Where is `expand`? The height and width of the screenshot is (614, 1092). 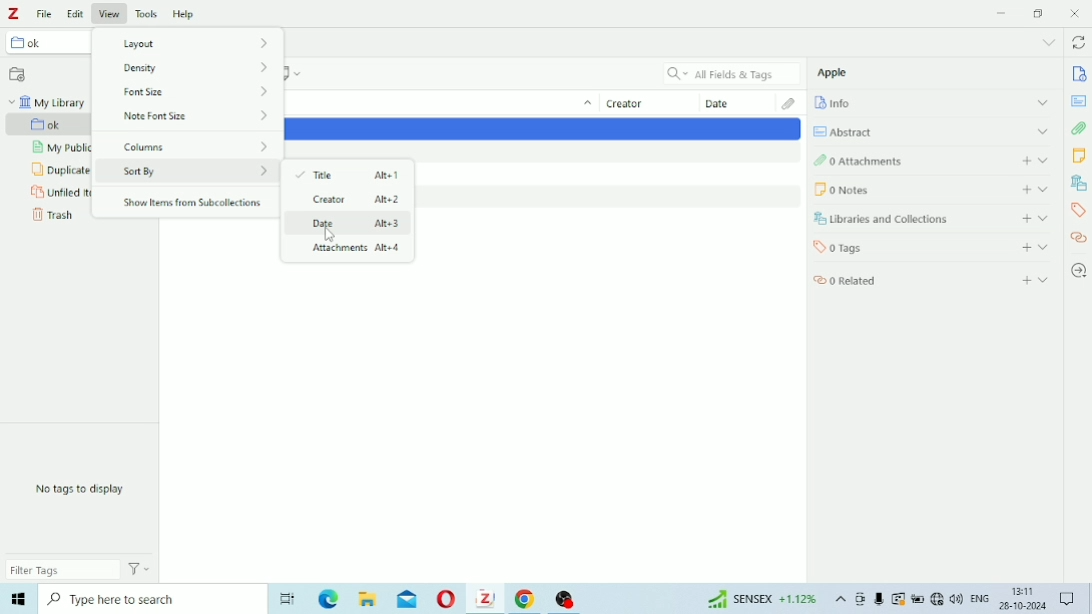 expand is located at coordinates (1048, 161).